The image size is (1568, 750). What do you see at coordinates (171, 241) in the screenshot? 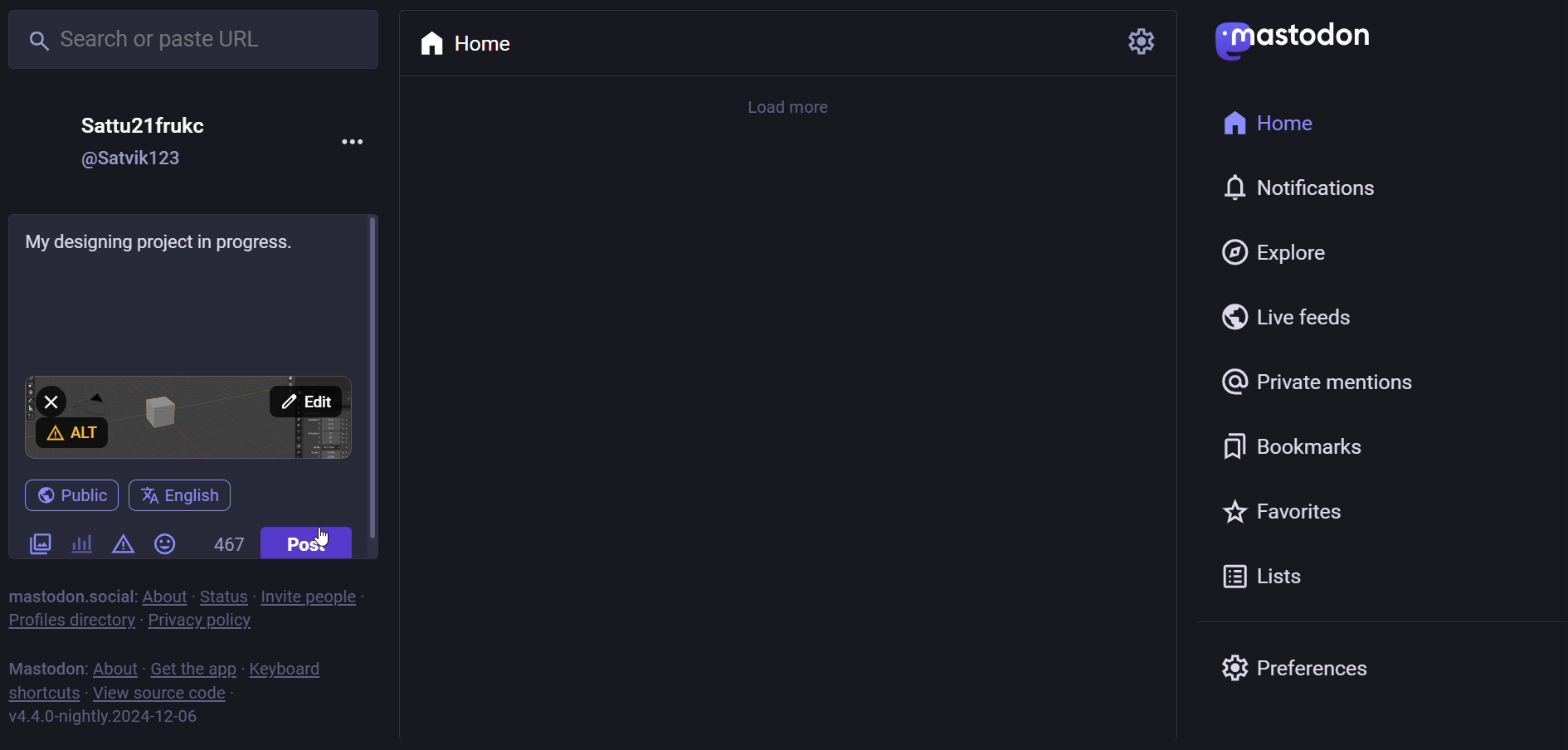
I see `text` at bounding box center [171, 241].